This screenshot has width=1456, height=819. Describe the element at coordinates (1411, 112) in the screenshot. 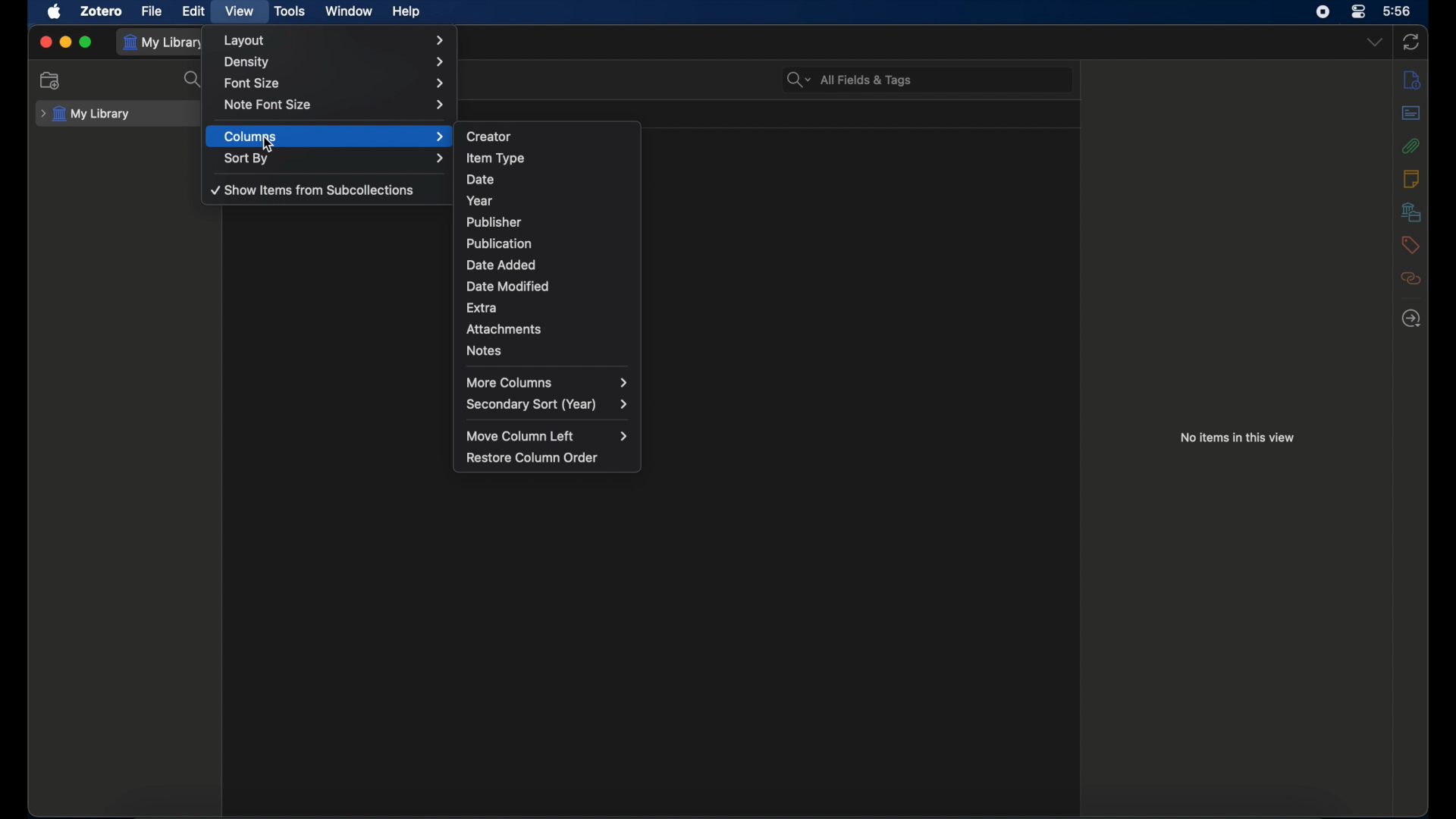

I see `abstract` at that location.